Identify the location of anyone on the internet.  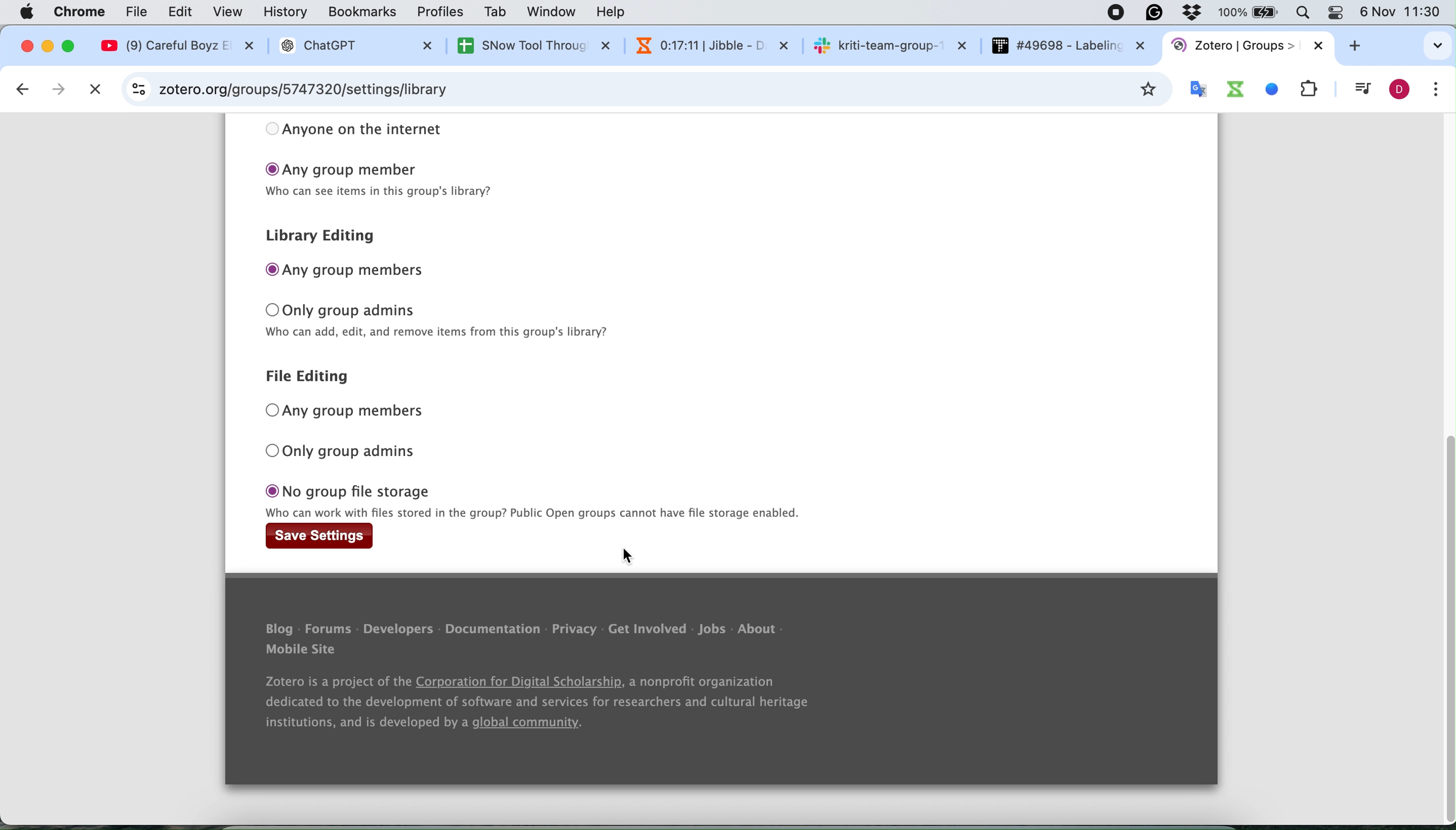
(369, 129).